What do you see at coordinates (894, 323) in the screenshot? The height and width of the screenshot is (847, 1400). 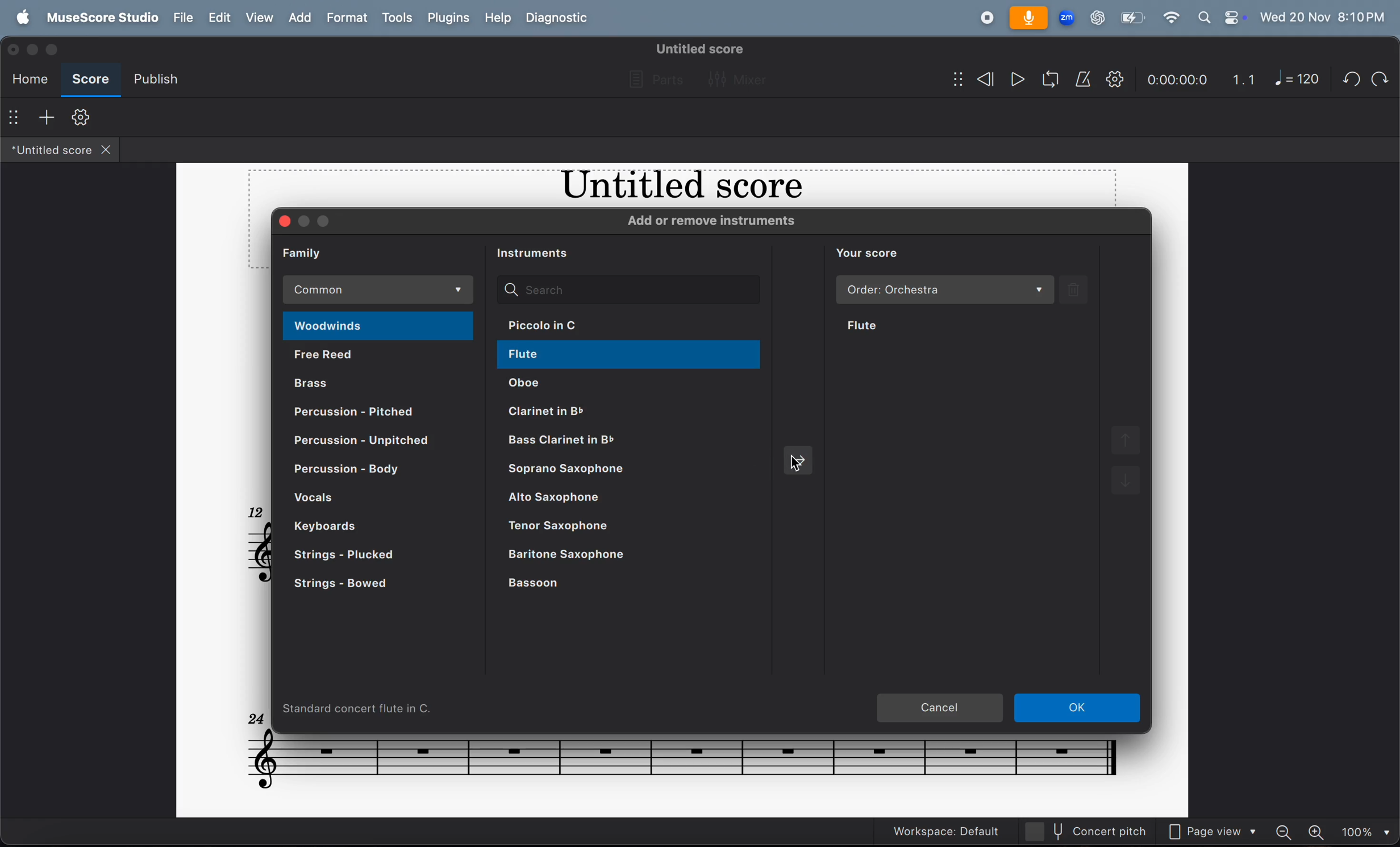 I see `flute` at bounding box center [894, 323].